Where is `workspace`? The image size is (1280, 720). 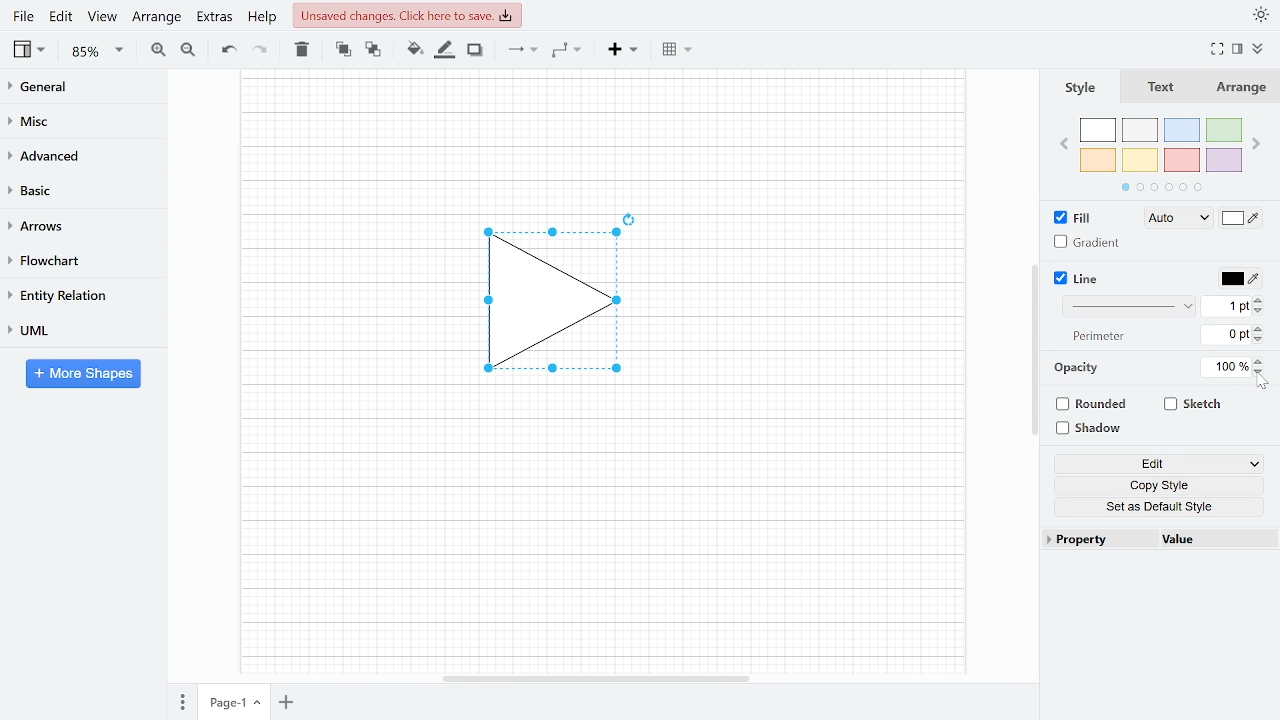
workspace is located at coordinates (819, 302).